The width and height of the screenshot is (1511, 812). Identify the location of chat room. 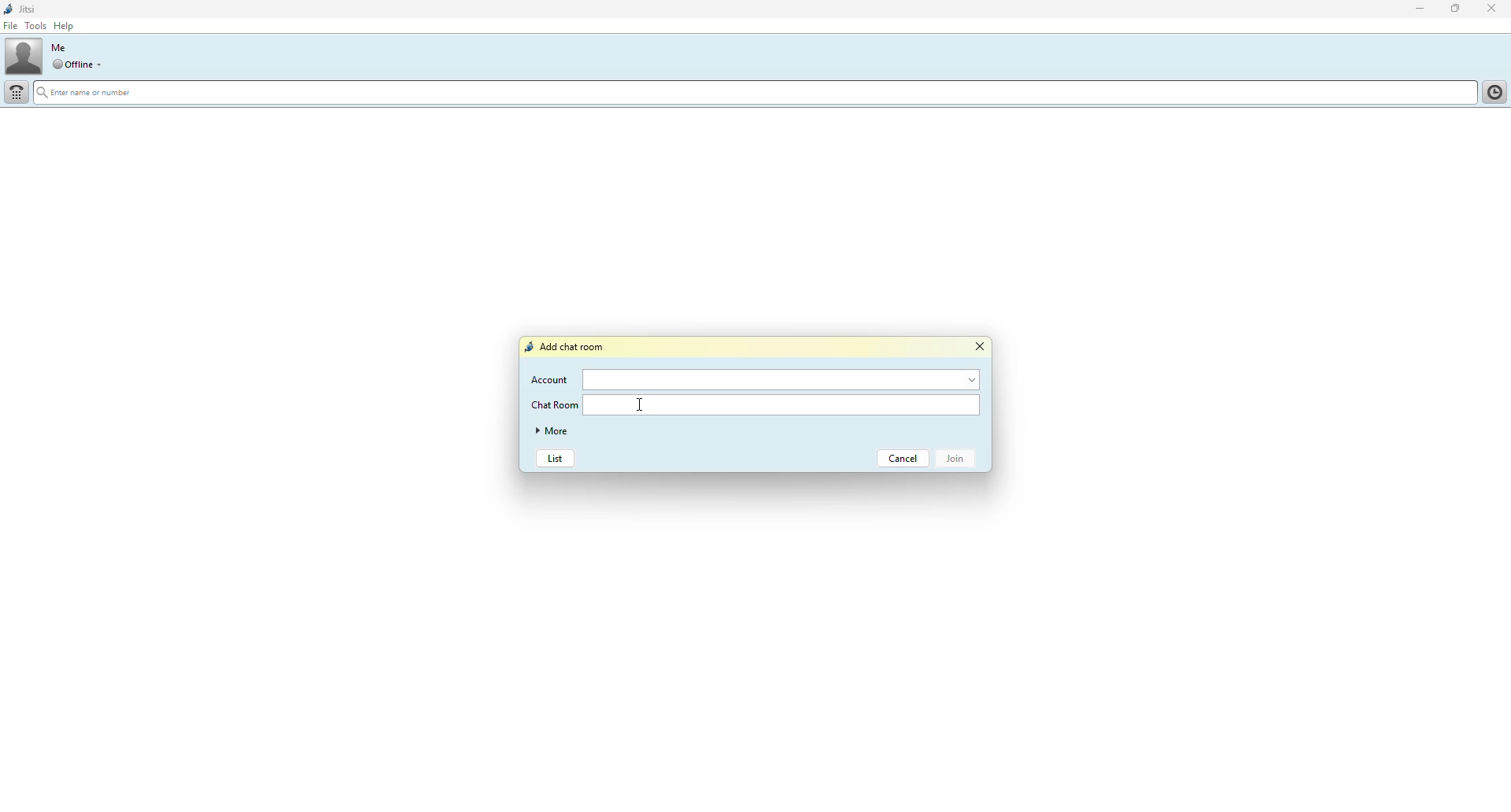
(785, 404).